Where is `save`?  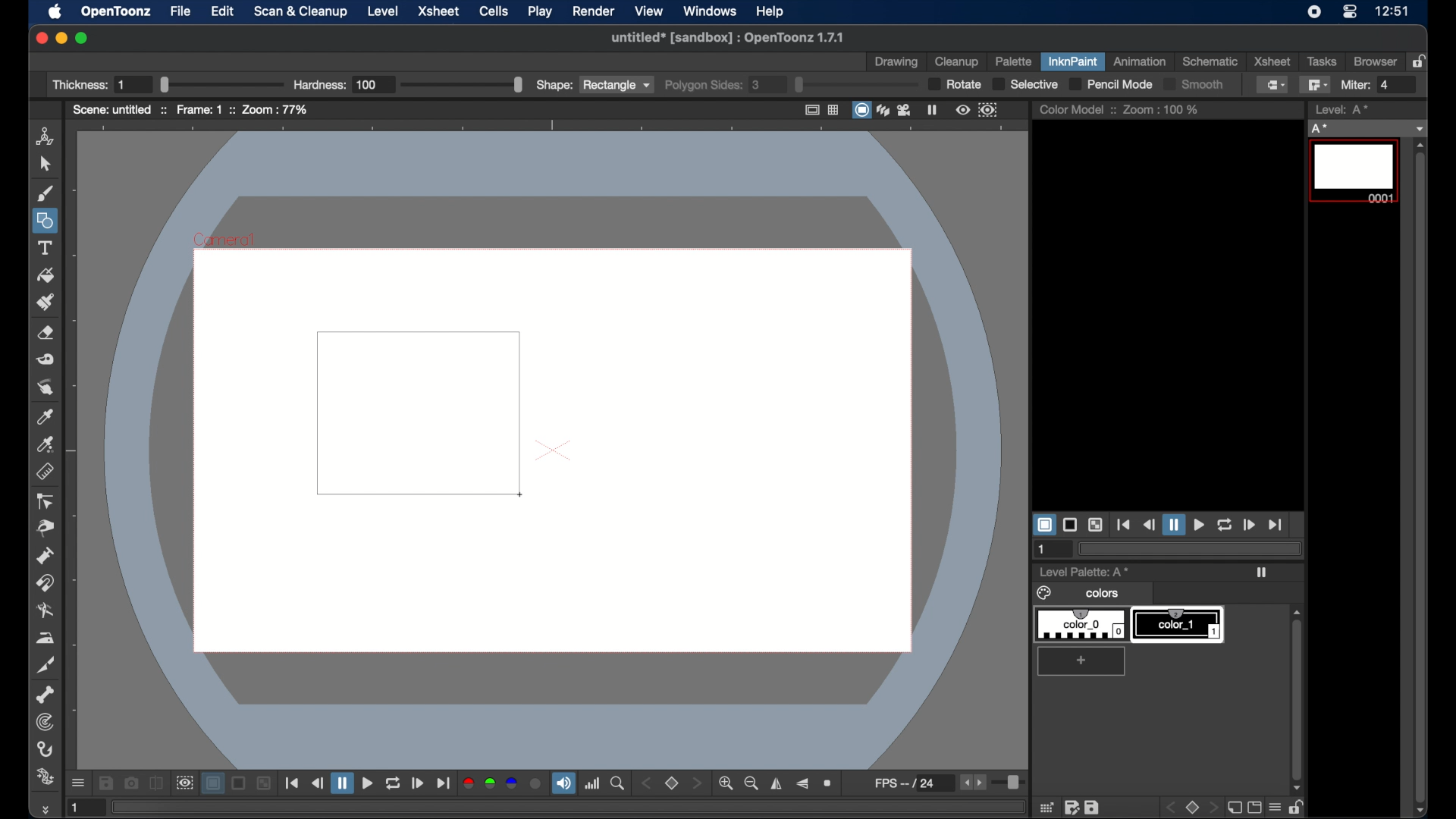 save is located at coordinates (1092, 807).